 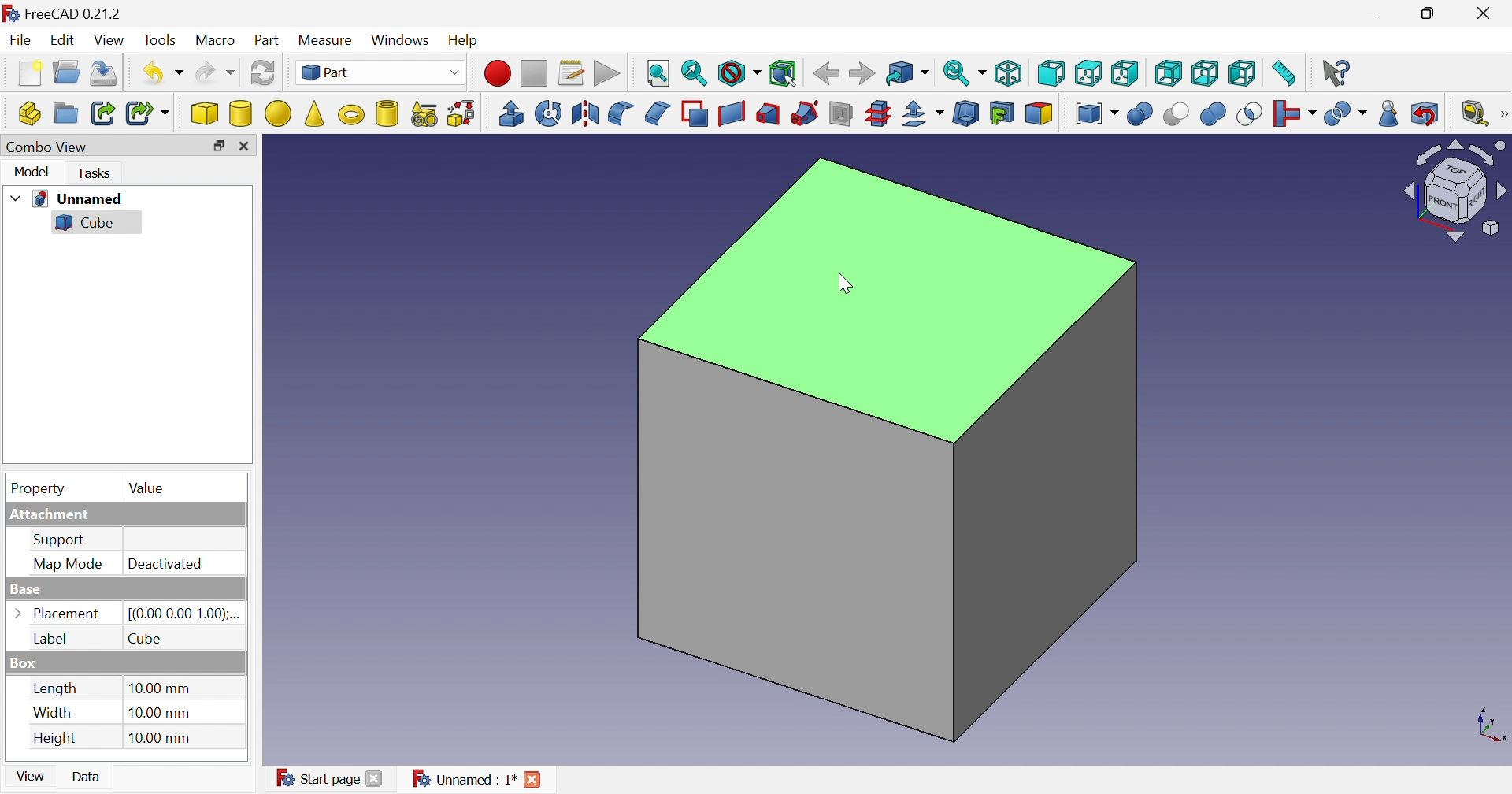 I want to click on Close, so click(x=246, y=146).